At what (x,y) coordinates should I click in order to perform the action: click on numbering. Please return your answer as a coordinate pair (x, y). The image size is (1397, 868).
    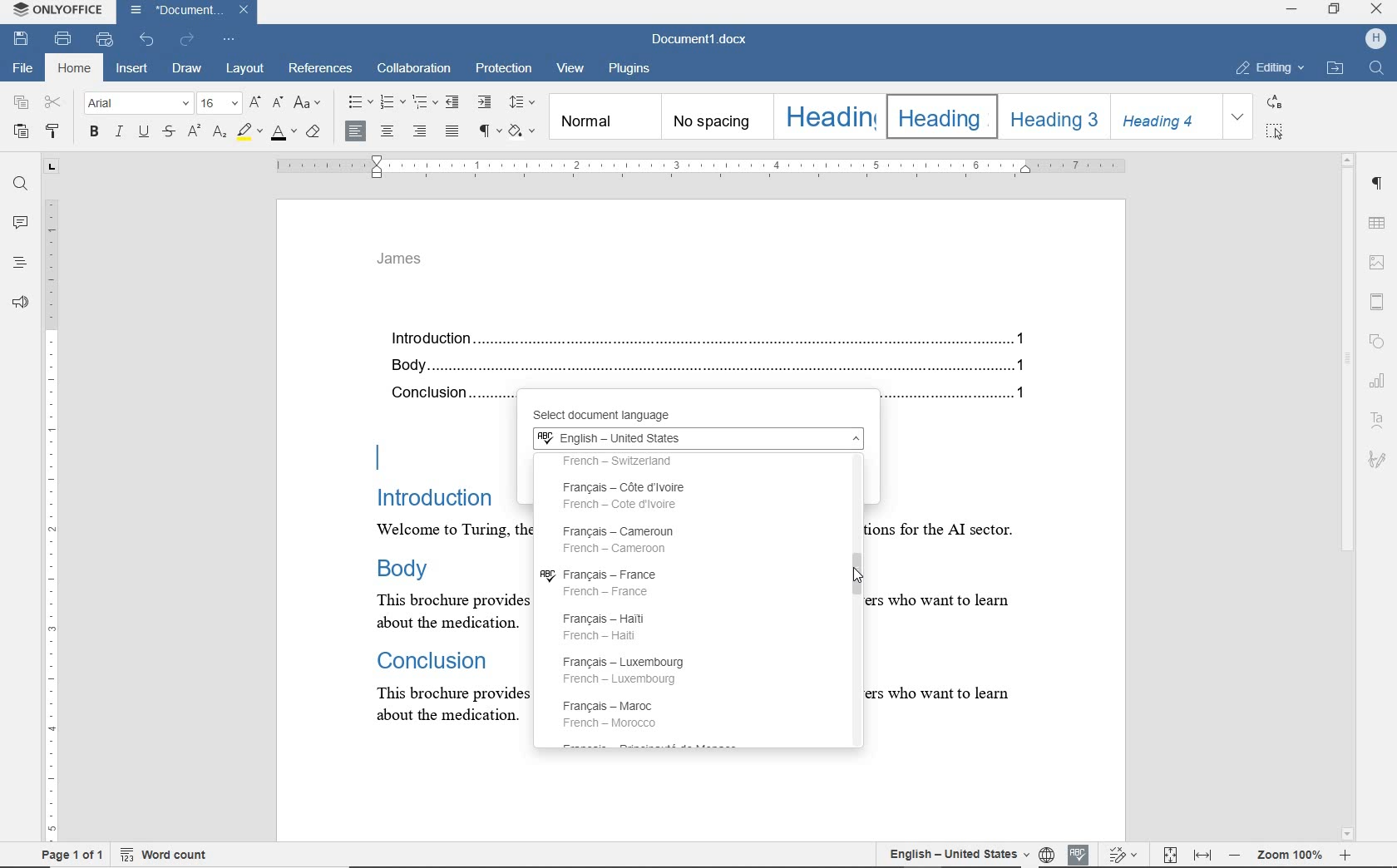
    Looking at the image, I should click on (393, 102).